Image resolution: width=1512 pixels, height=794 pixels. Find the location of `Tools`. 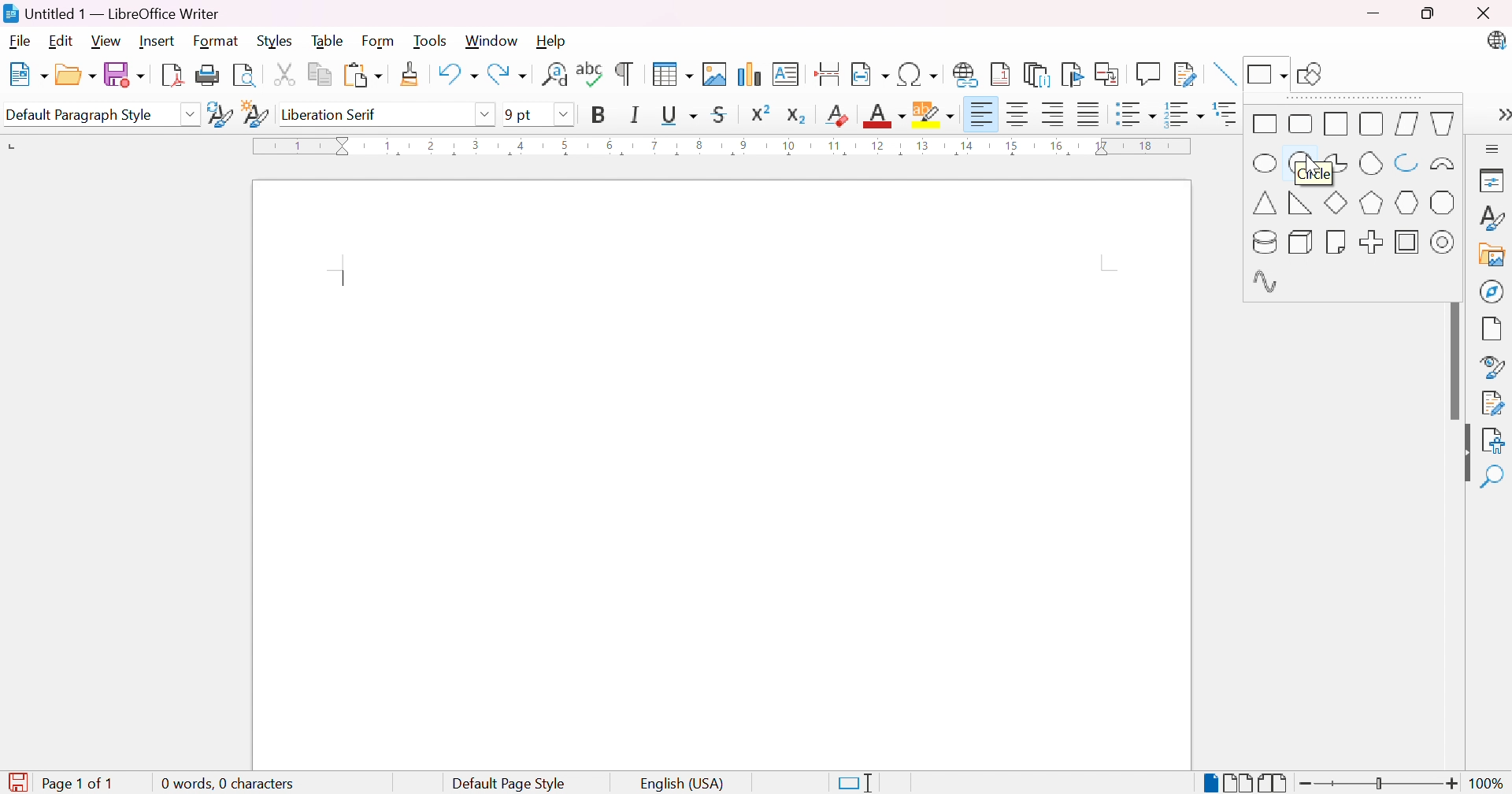

Tools is located at coordinates (432, 42).